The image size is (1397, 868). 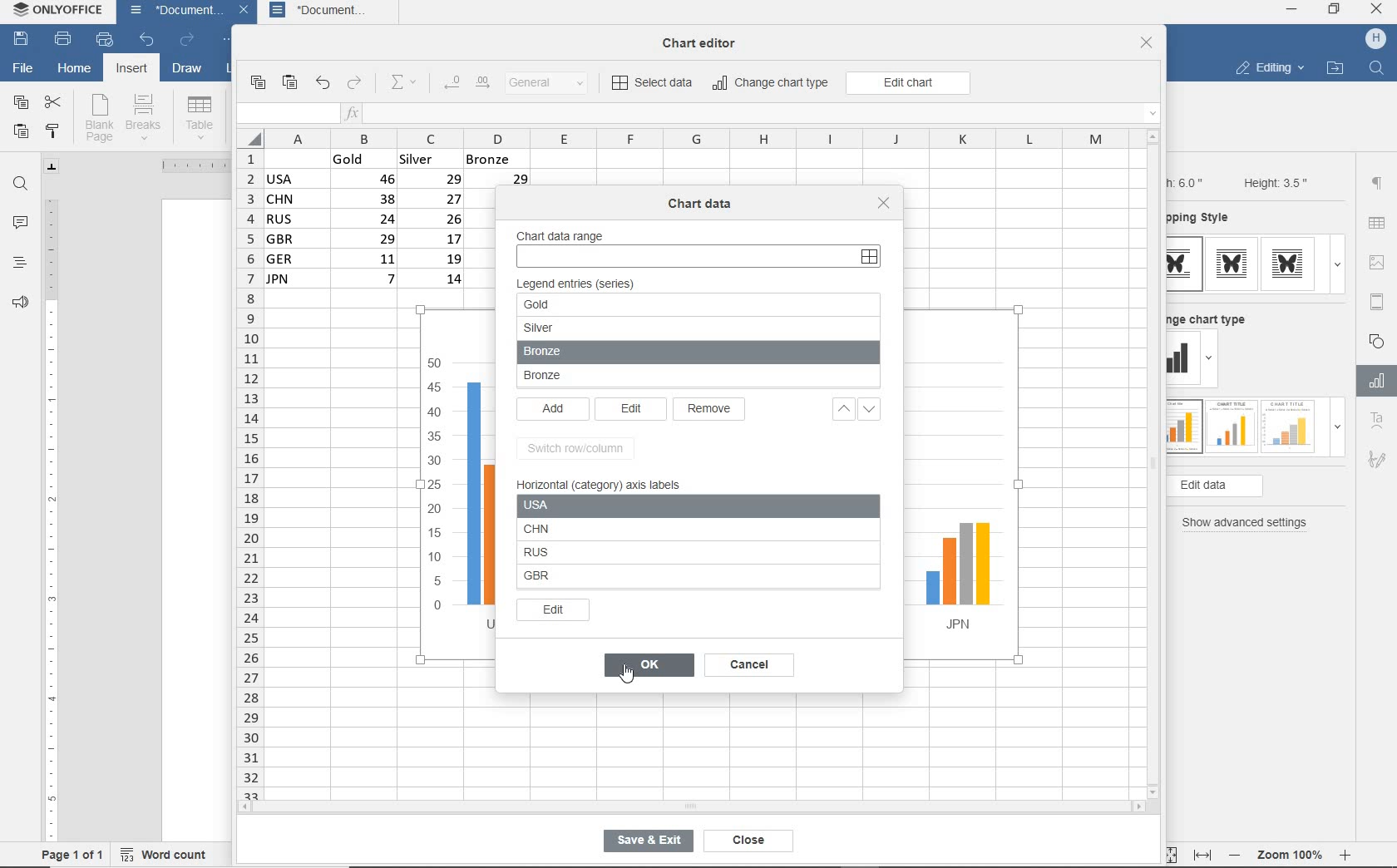 I want to click on cancel, so click(x=755, y=666).